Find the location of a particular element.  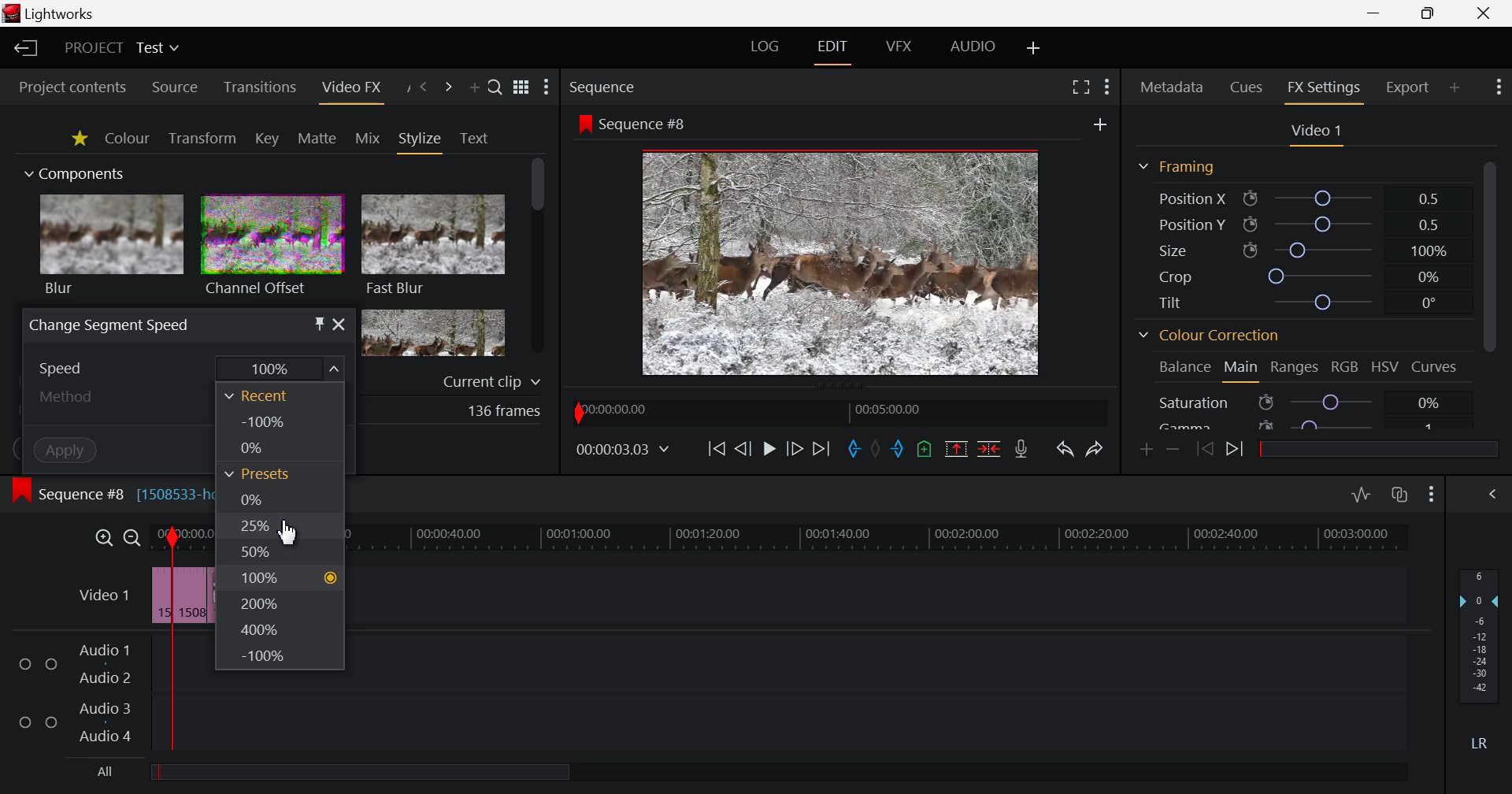

Key is located at coordinates (266, 139).